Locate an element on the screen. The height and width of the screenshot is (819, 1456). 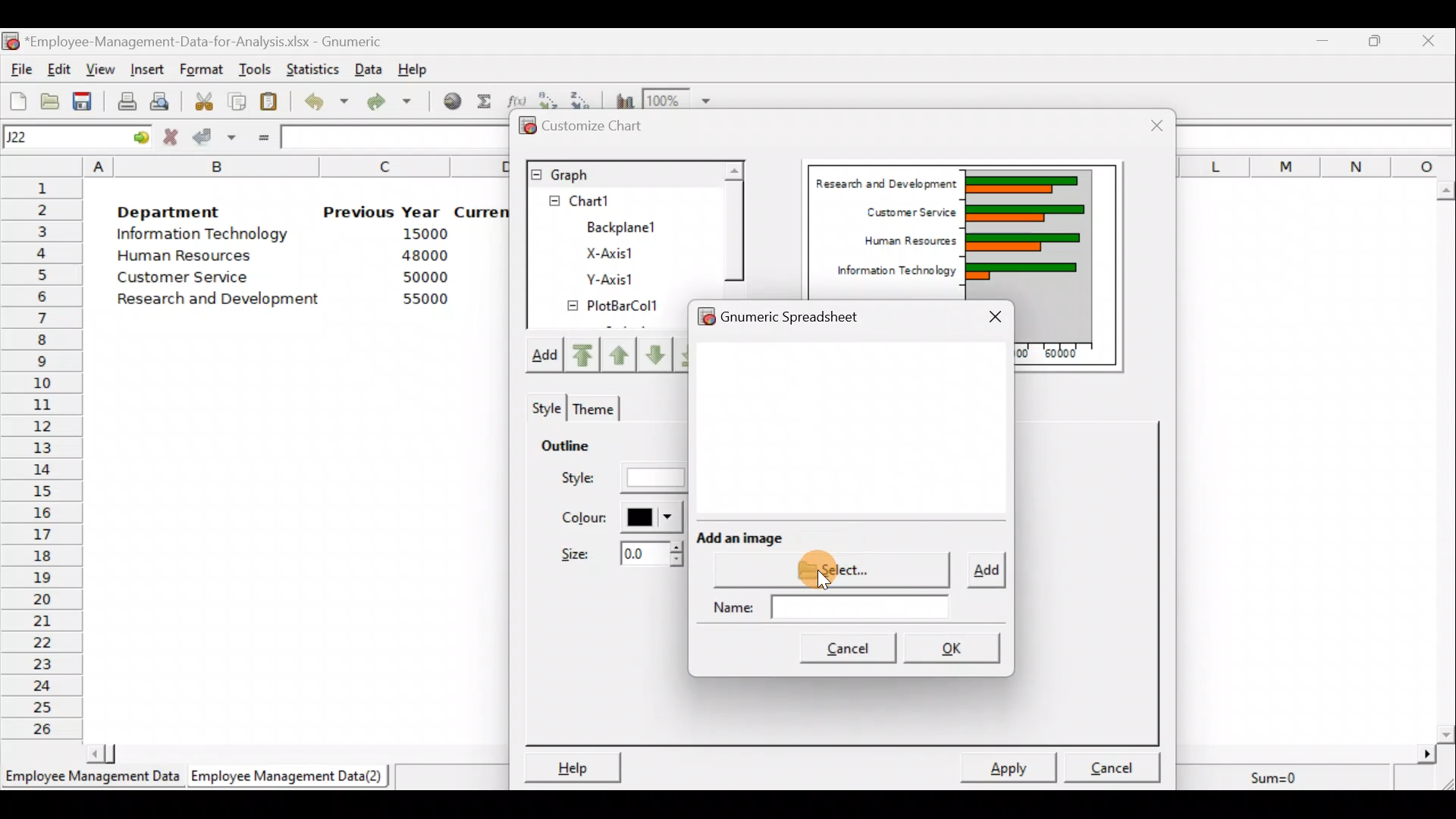
View is located at coordinates (101, 68).